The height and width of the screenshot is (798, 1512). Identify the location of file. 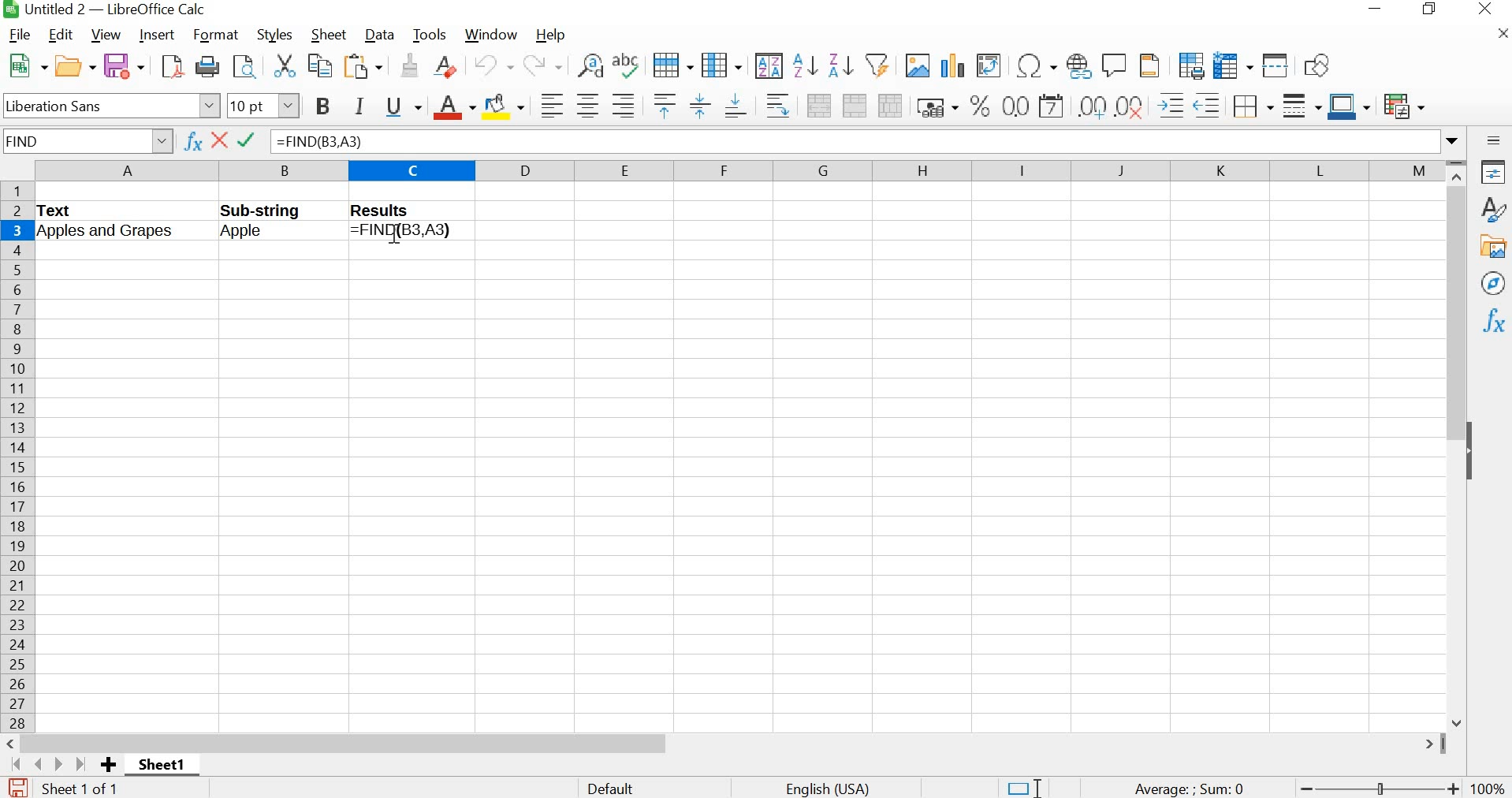
(17, 34).